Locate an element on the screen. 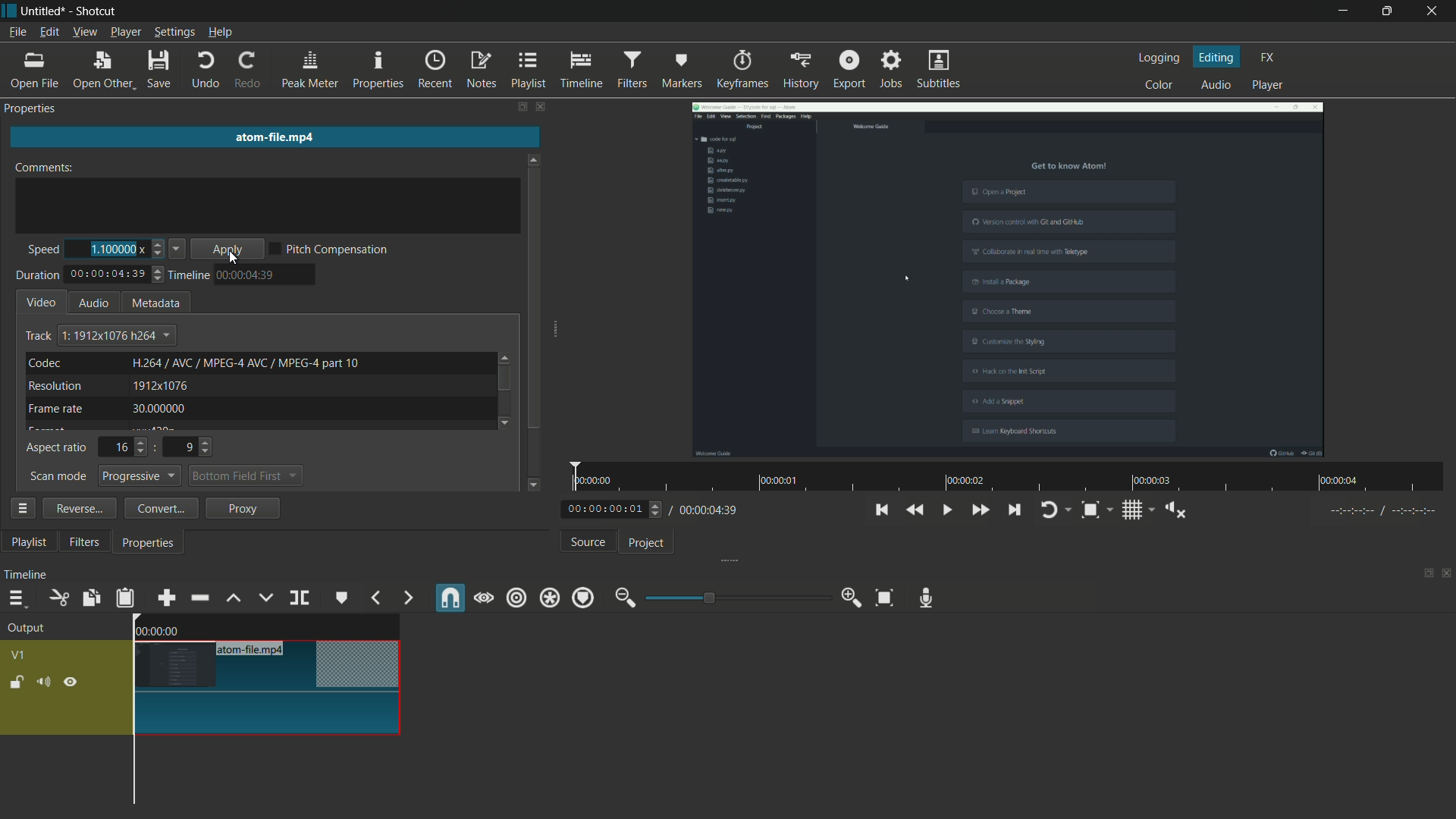  paste is located at coordinates (125, 598).